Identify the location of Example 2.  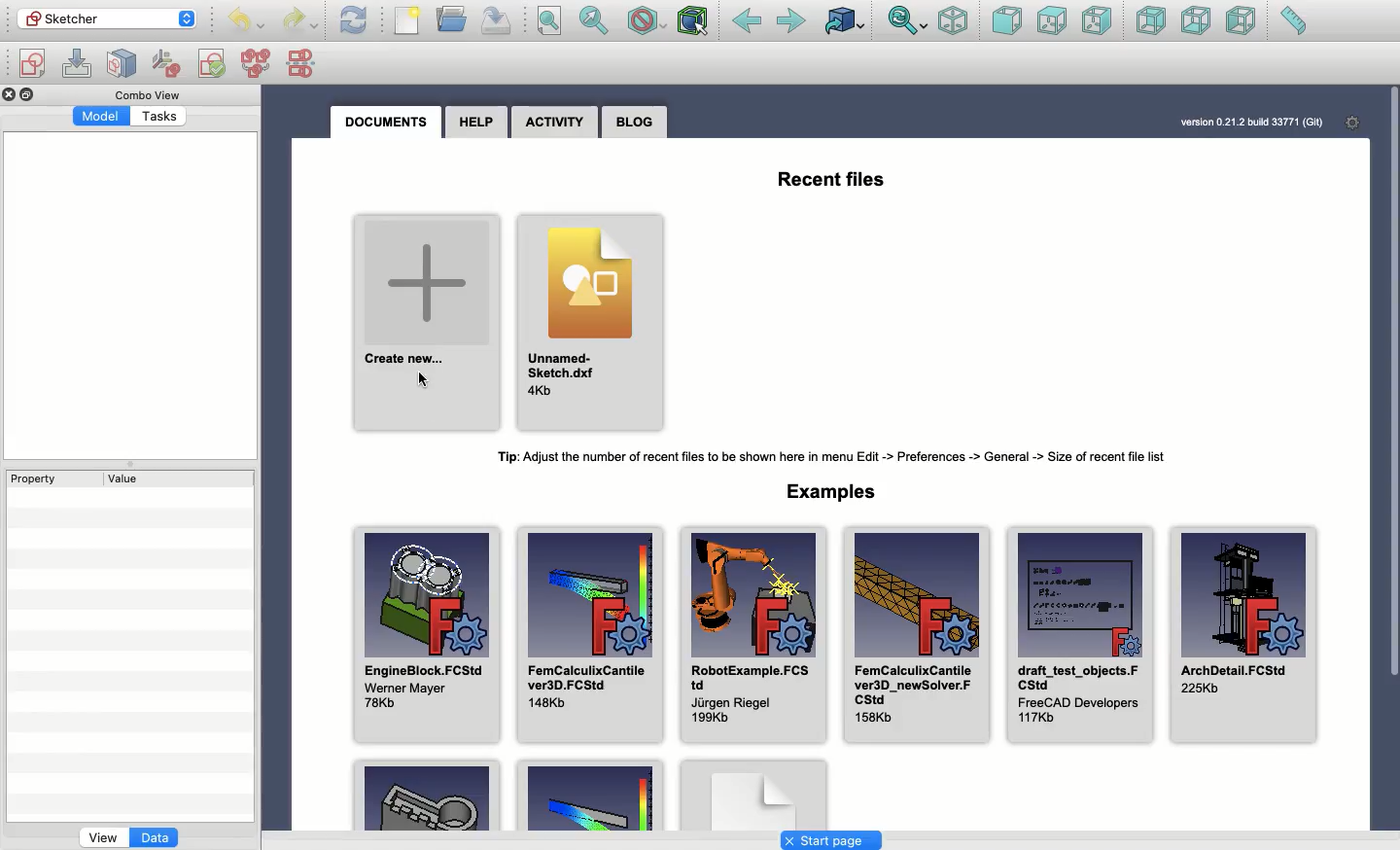
(589, 794).